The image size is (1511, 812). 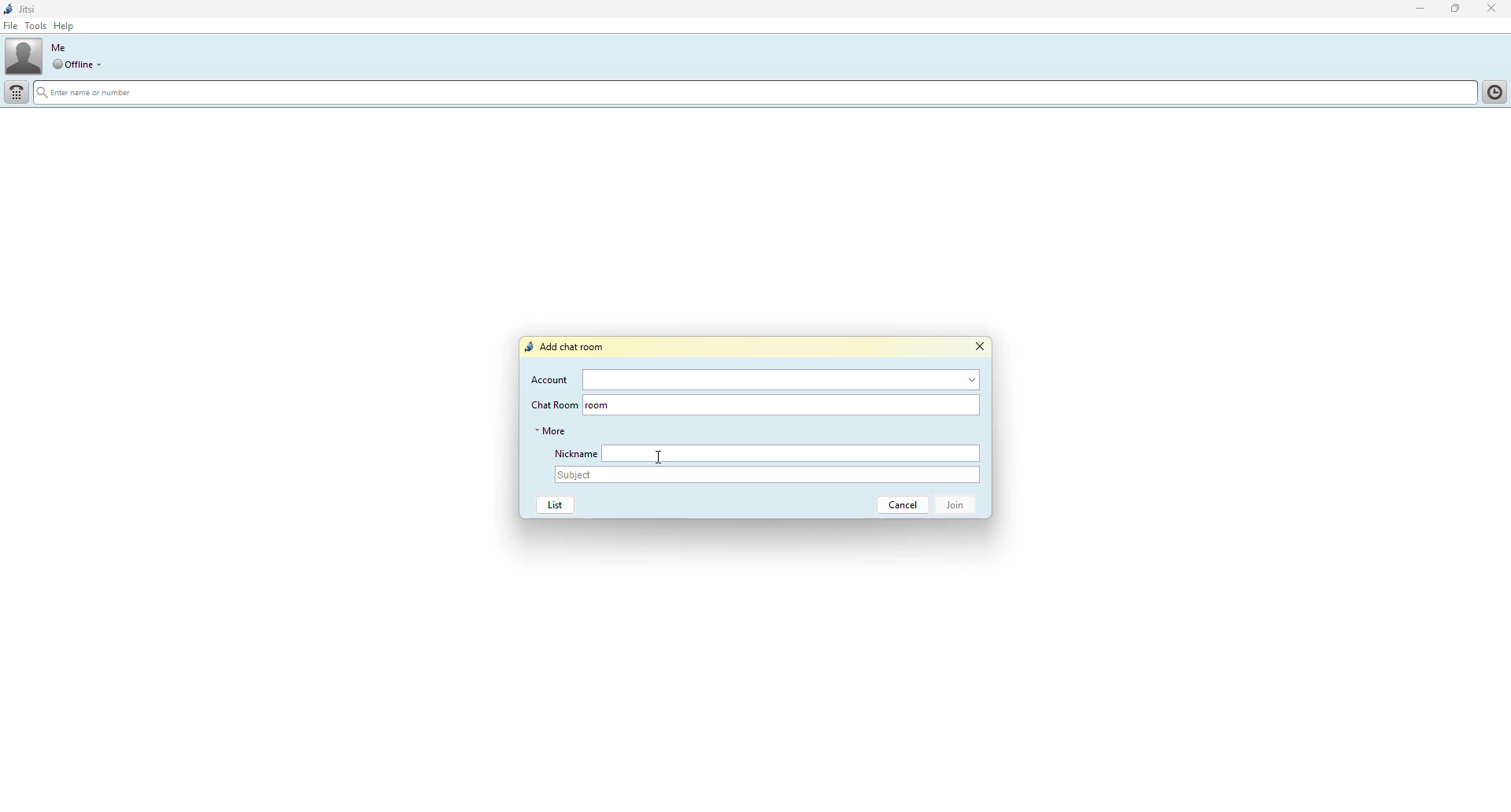 What do you see at coordinates (1413, 9) in the screenshot?
I see `minimize` at bounding box center [1413, 9].